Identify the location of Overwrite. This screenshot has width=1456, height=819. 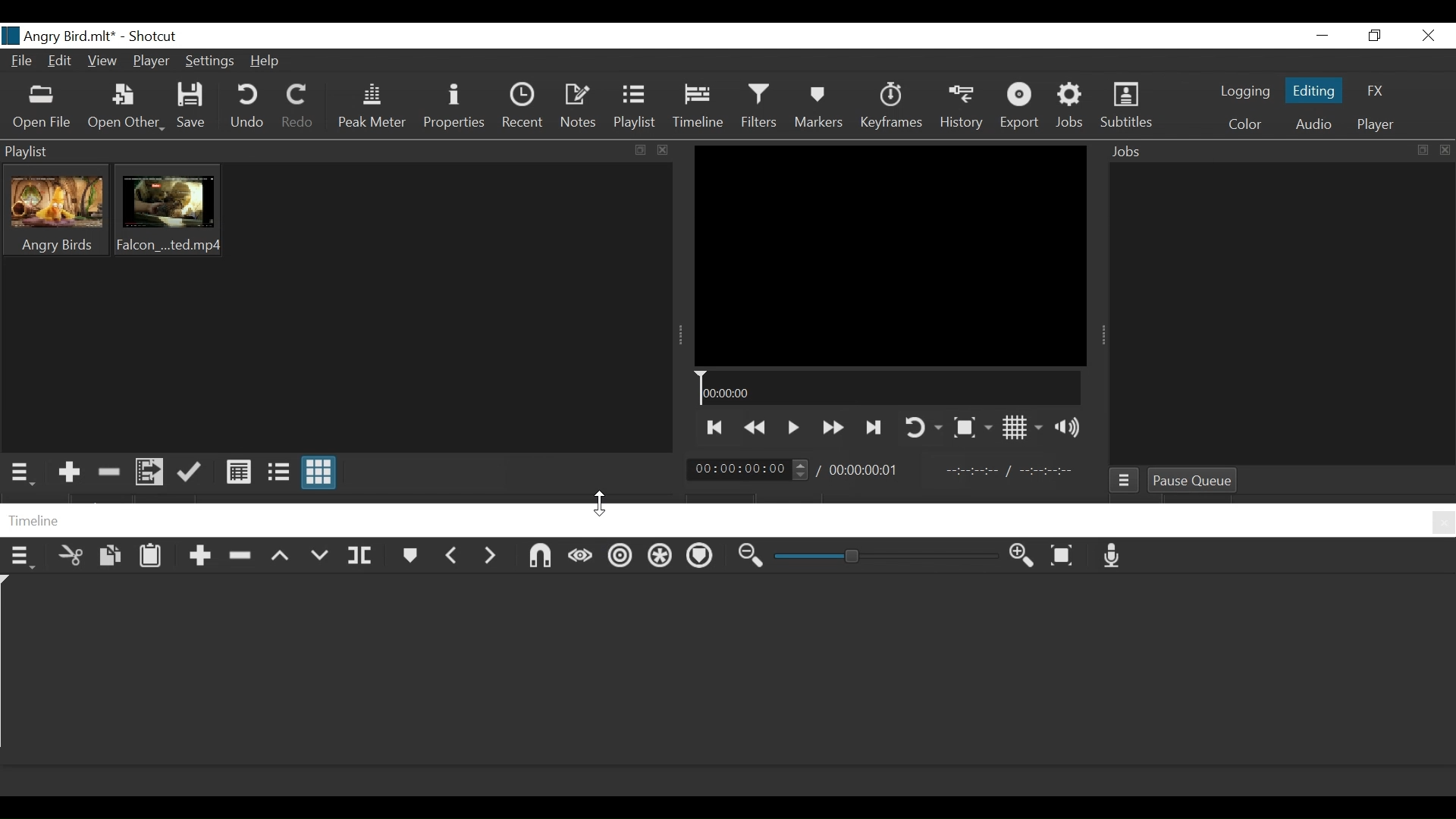
(320, 560).